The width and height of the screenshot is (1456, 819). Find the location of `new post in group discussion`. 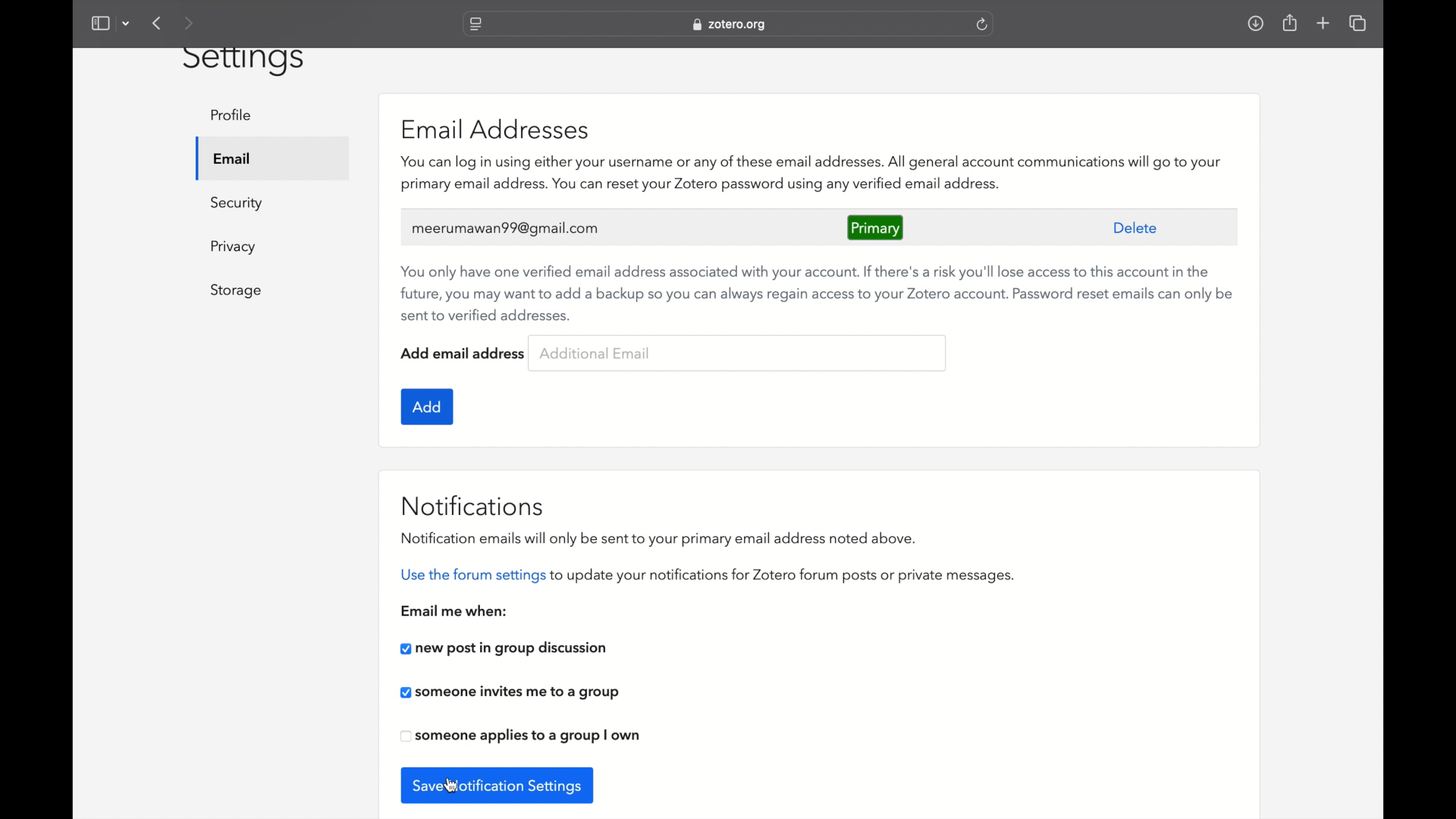

new post in group discussion is located at coordinates (501, 648).